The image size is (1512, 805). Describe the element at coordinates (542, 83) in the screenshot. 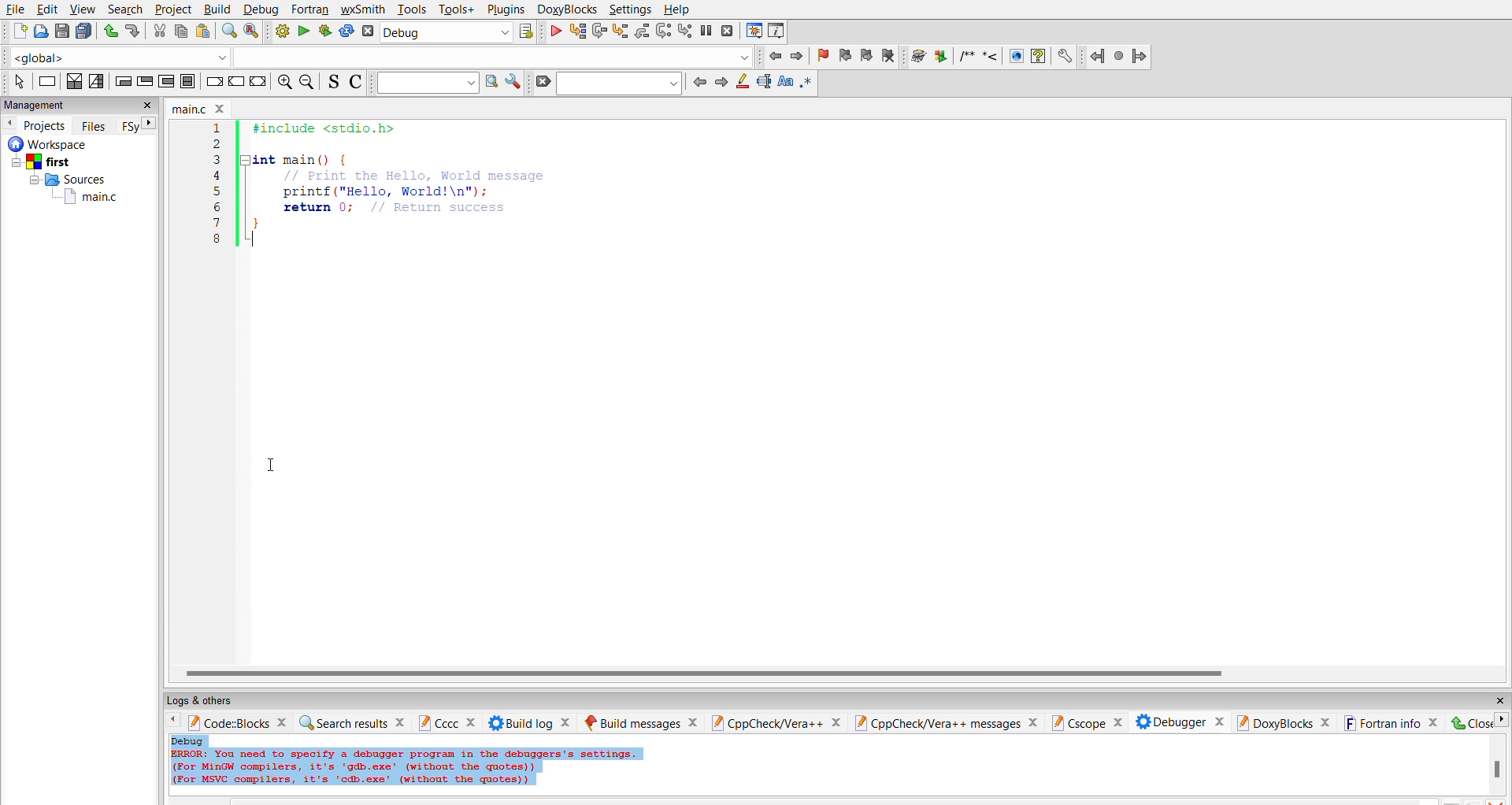

I see `clear` at that location.